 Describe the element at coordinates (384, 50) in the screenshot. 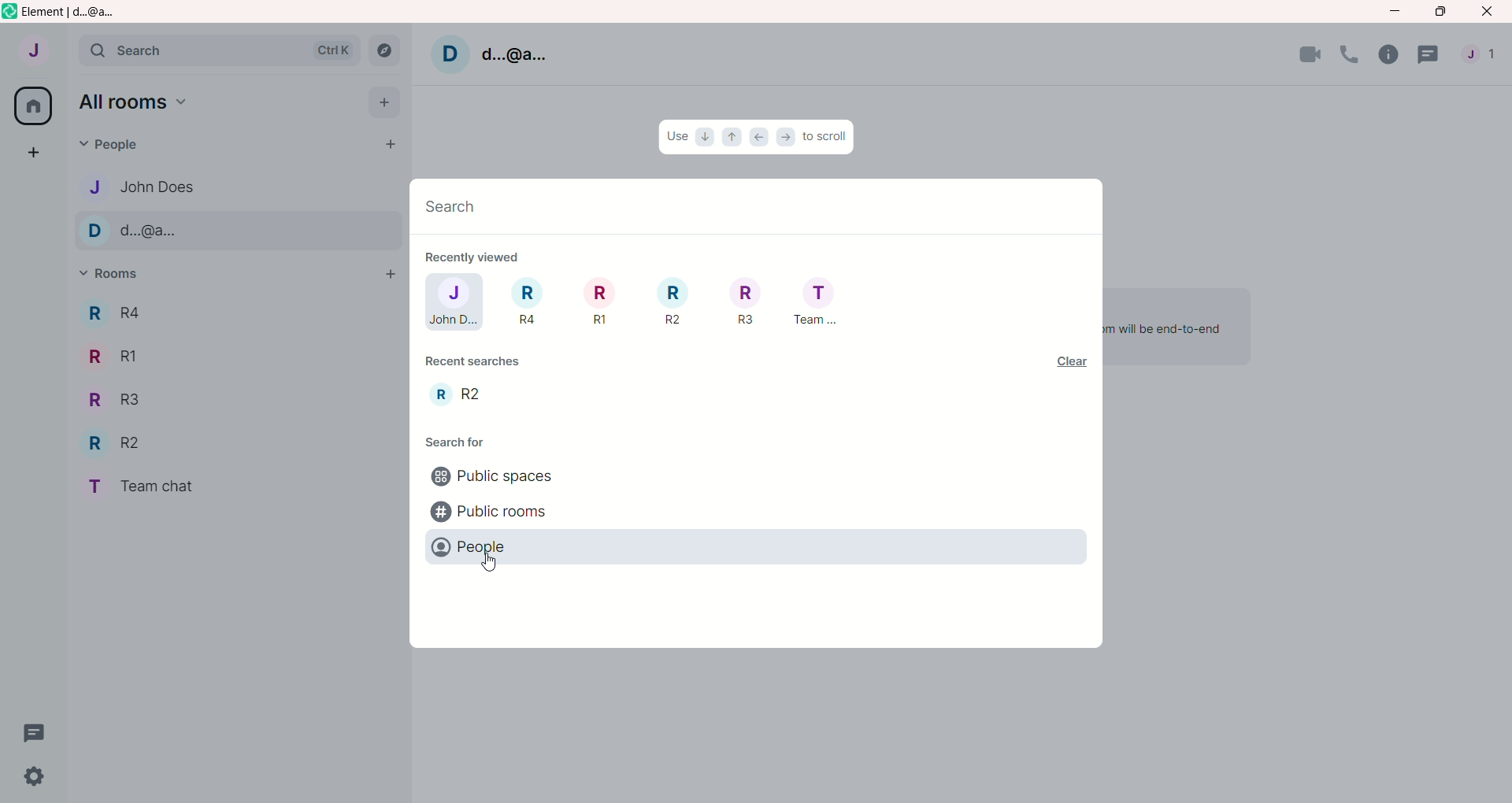

I see `explore rooms` at that location.